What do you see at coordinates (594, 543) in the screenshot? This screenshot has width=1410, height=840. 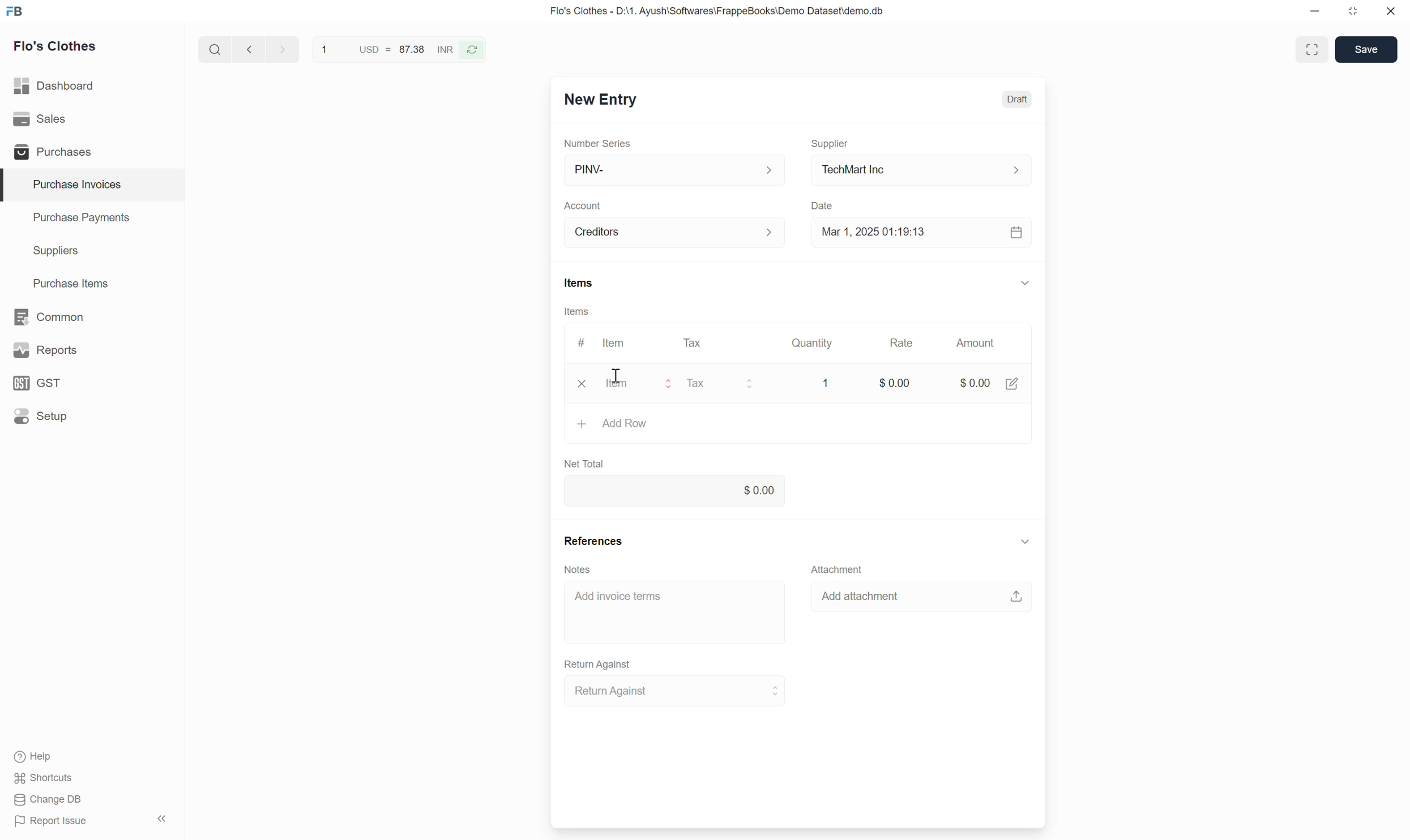 I see `References` at bounding box center [594, 543].